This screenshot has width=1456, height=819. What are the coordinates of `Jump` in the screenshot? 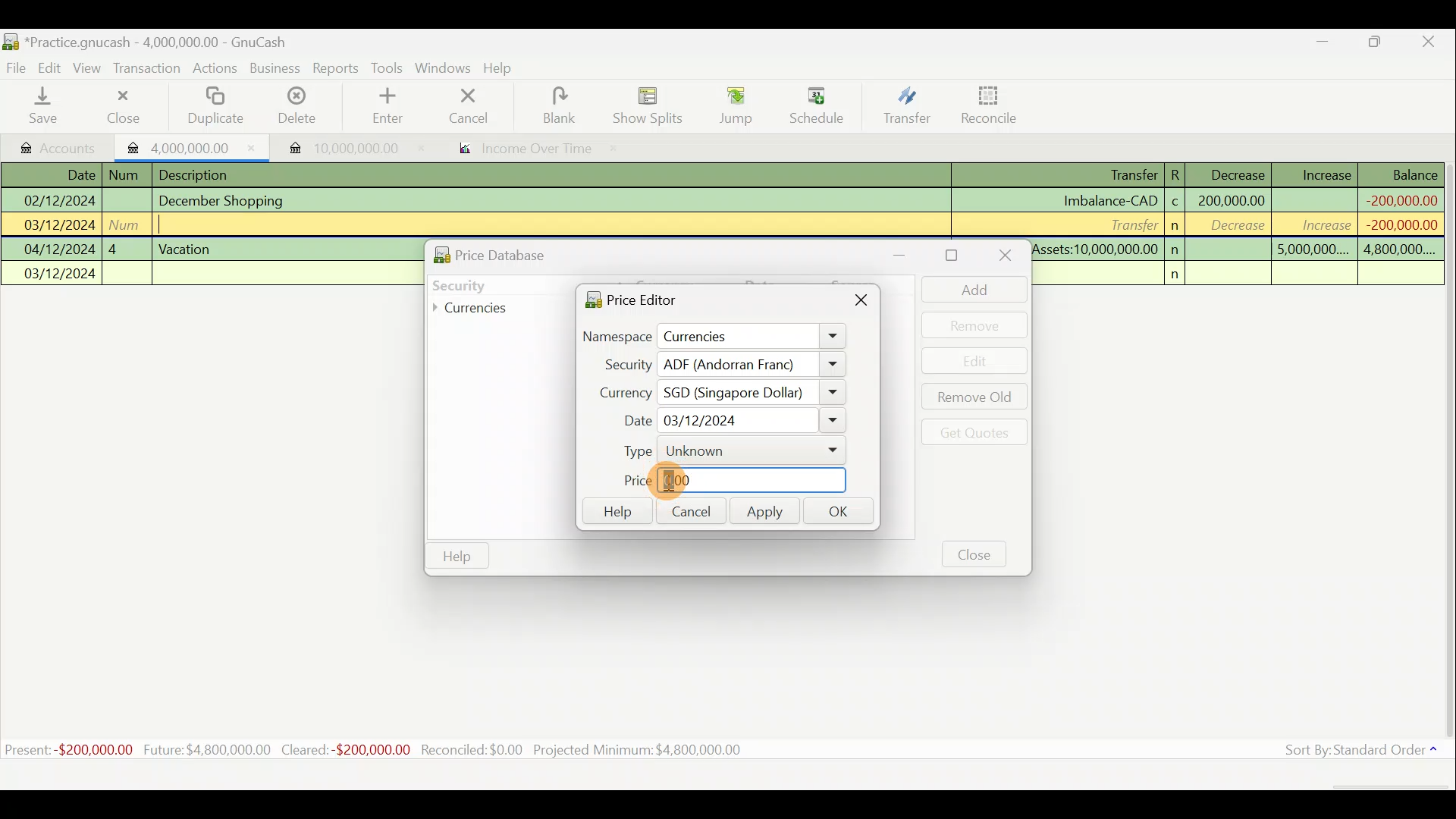 It's located at (730, 106).